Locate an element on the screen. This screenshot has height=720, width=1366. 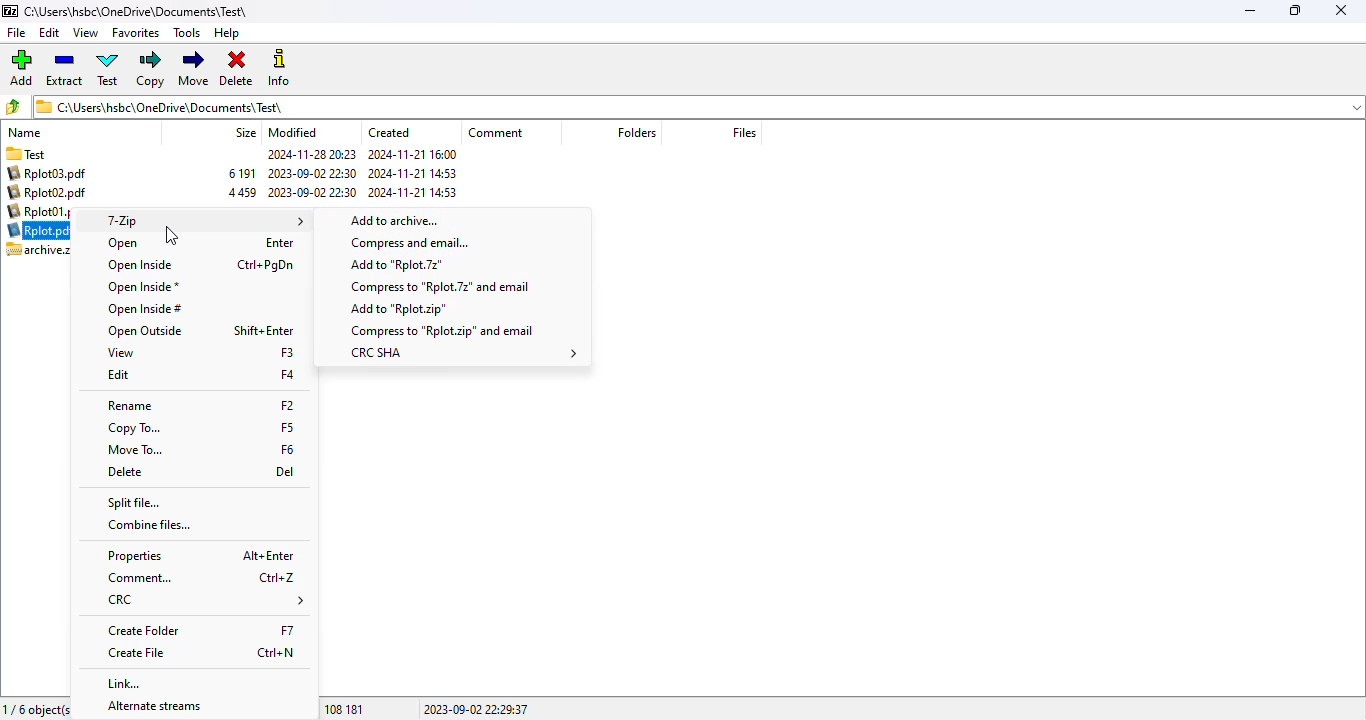
shortcut for rename is located at coordinates (288, 405).